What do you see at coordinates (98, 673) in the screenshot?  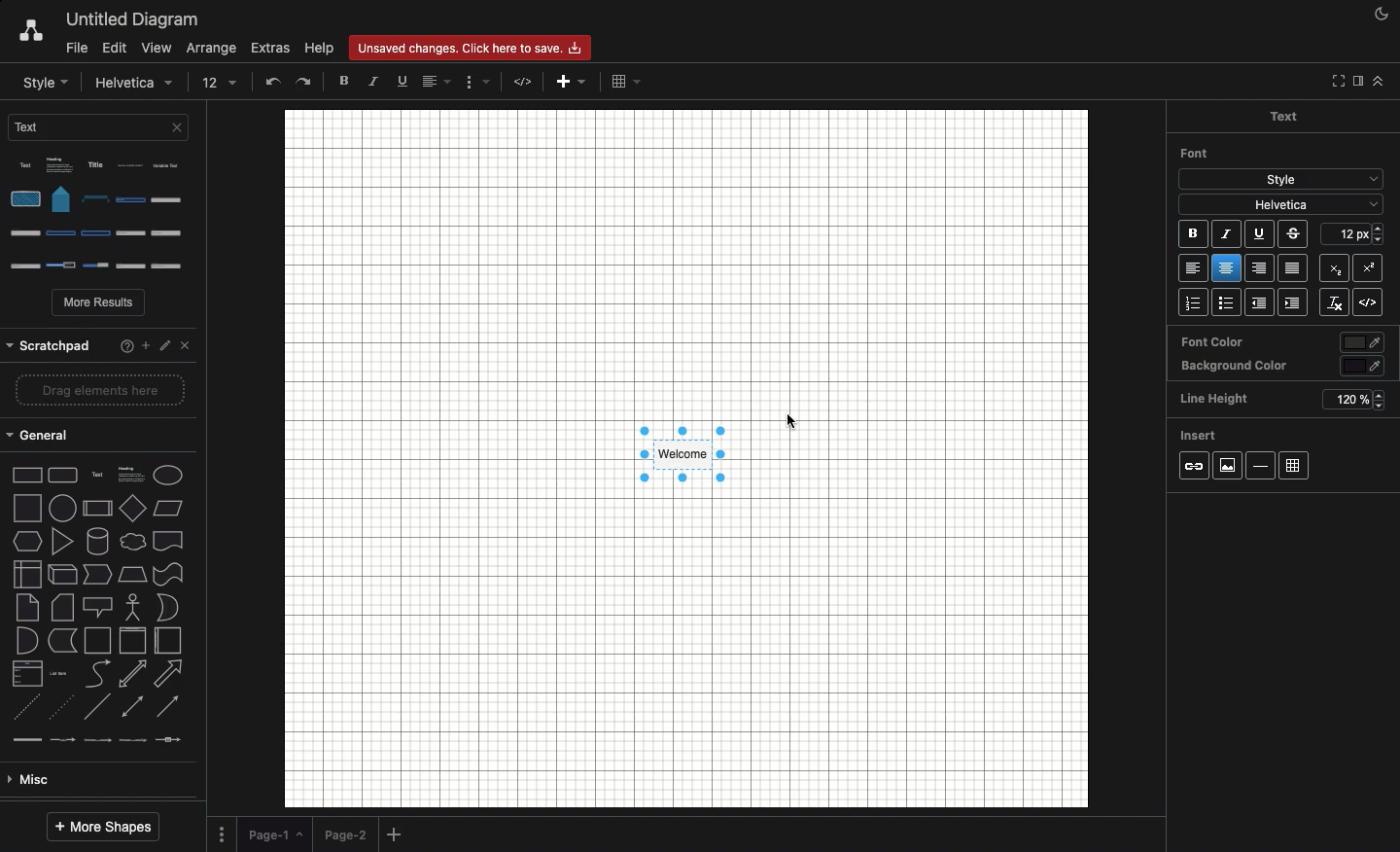 I see `Basic` at bounding box center [98, 673].